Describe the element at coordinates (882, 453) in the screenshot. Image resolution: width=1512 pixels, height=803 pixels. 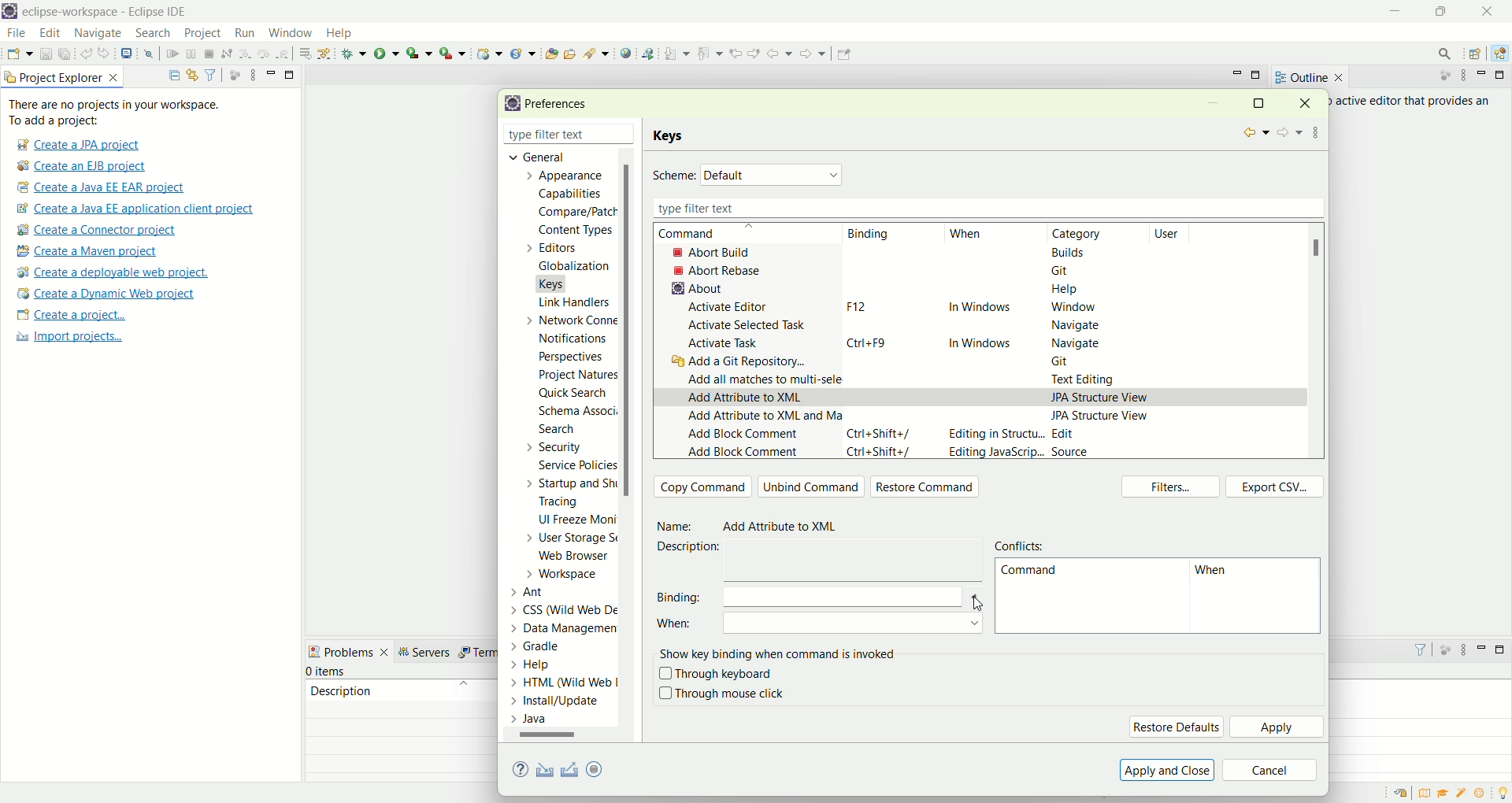
I see `ctrl+shift+/` at that location.